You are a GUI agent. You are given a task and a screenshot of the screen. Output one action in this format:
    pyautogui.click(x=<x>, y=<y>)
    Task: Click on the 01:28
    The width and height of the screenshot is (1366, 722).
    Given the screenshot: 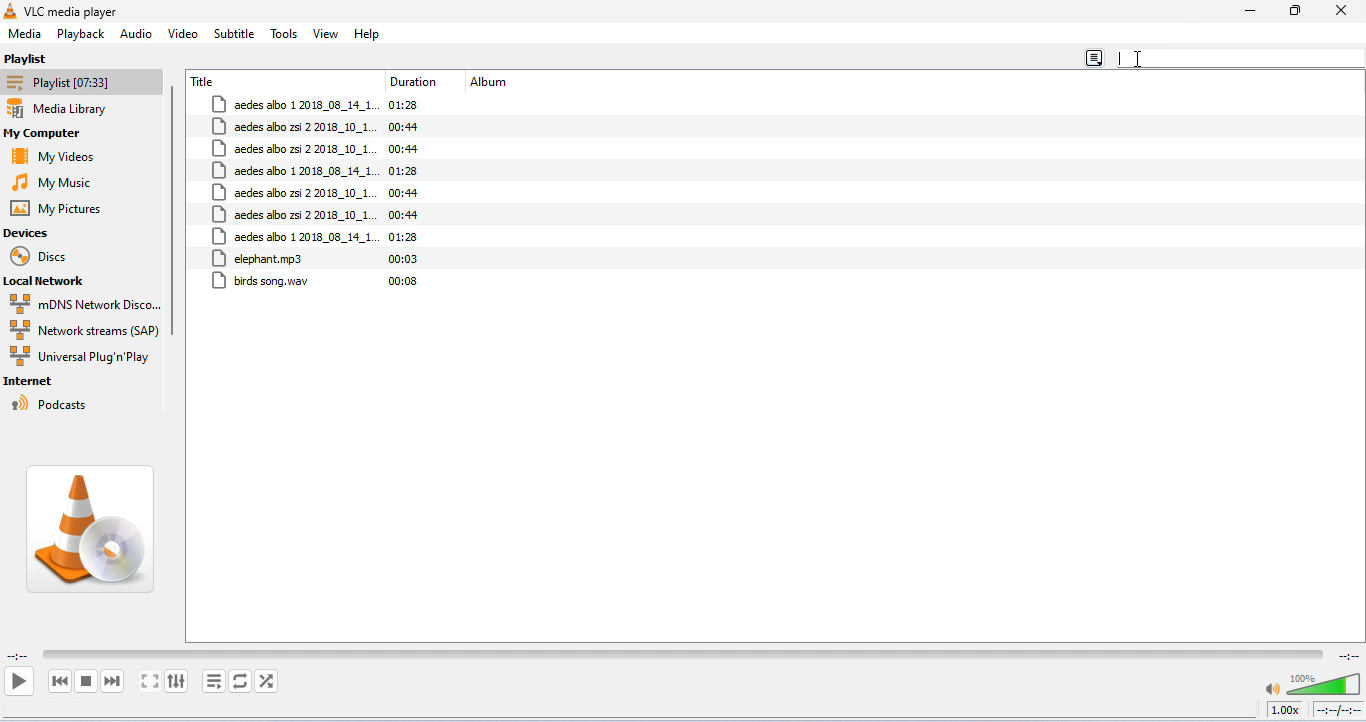 What is the action you would take?
    pyautogui.click(x=410, y=105)
    